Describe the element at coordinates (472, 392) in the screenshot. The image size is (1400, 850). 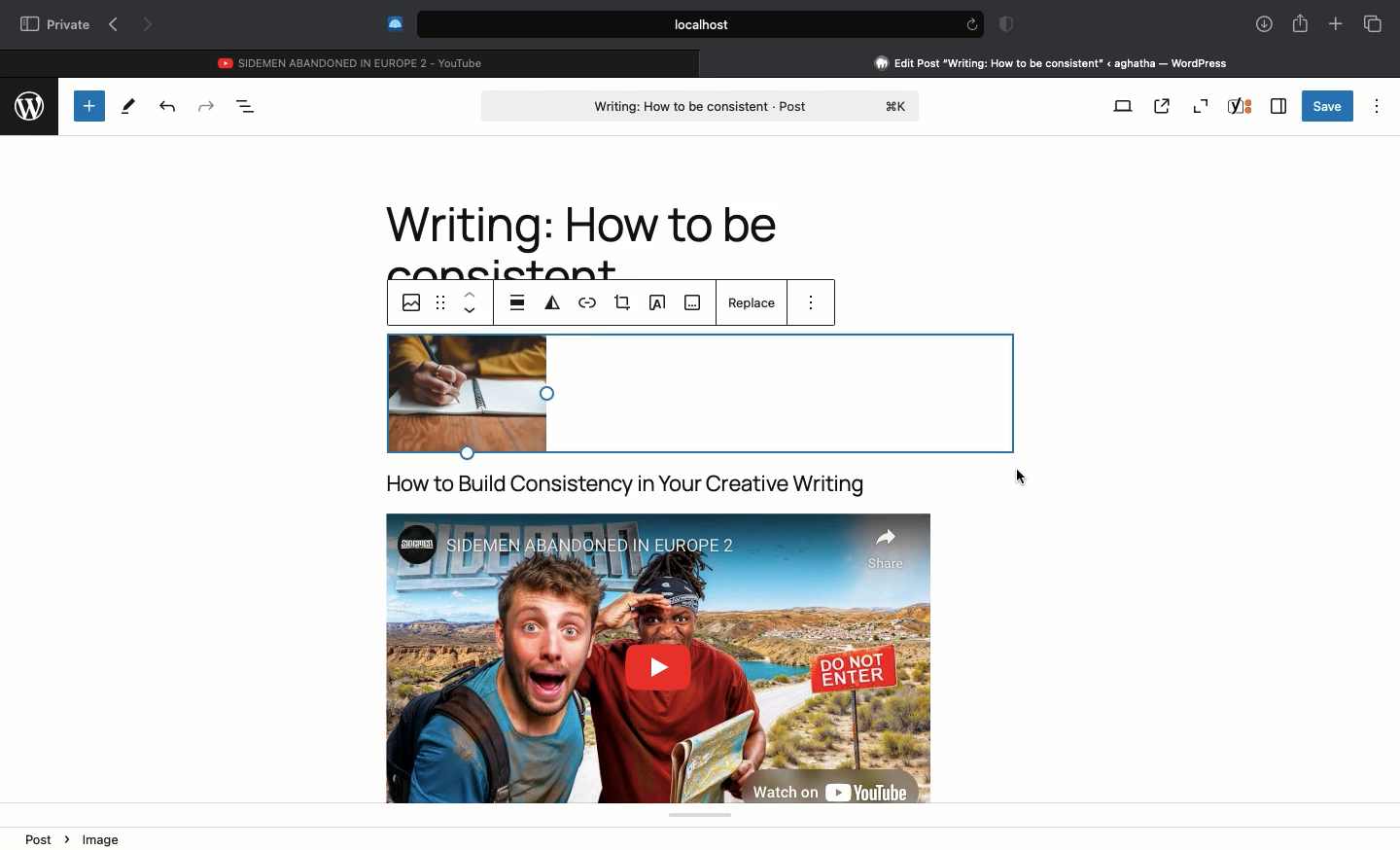
I see `image` at that location.